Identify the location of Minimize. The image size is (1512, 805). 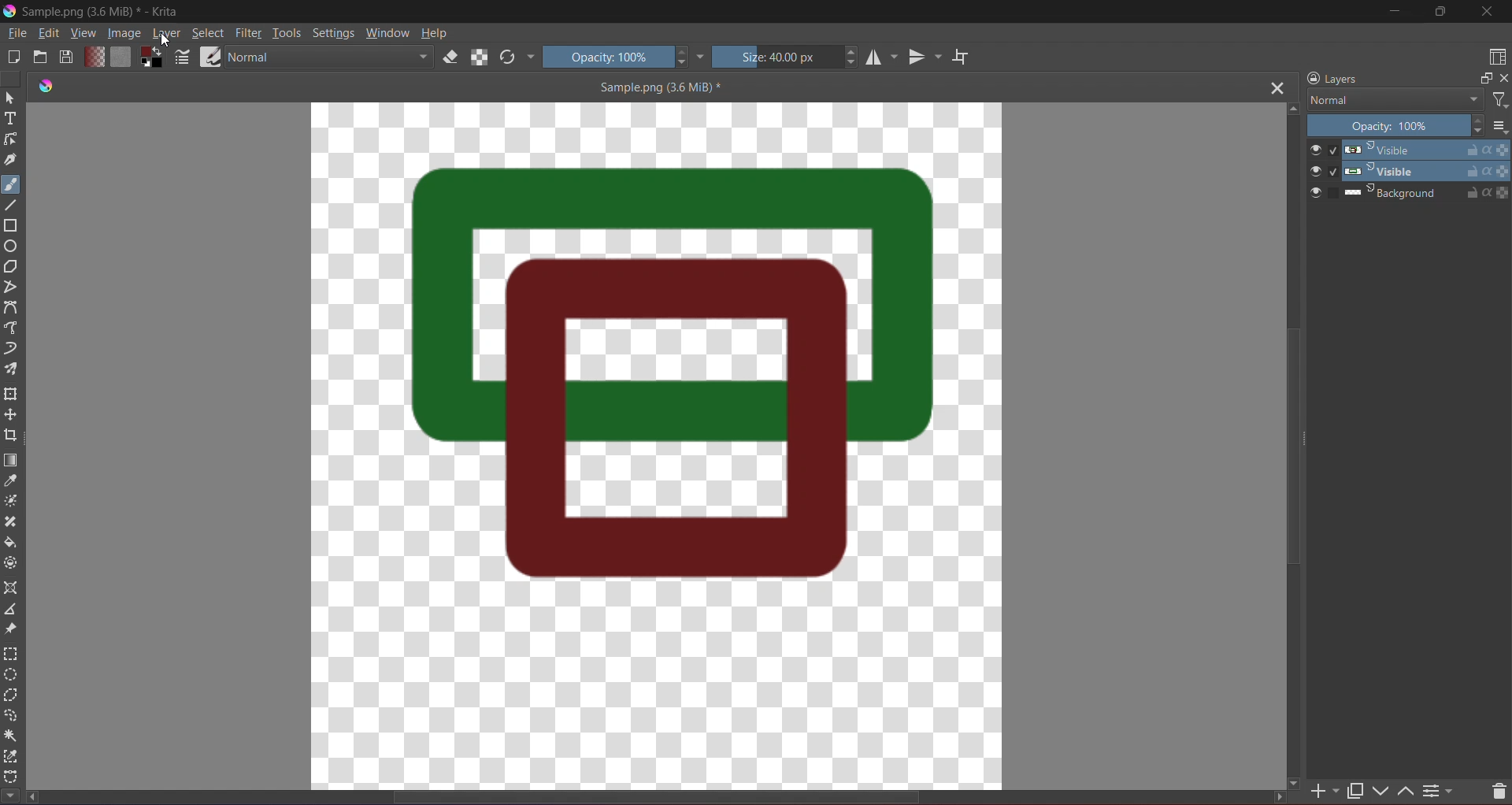
(1395, 11).